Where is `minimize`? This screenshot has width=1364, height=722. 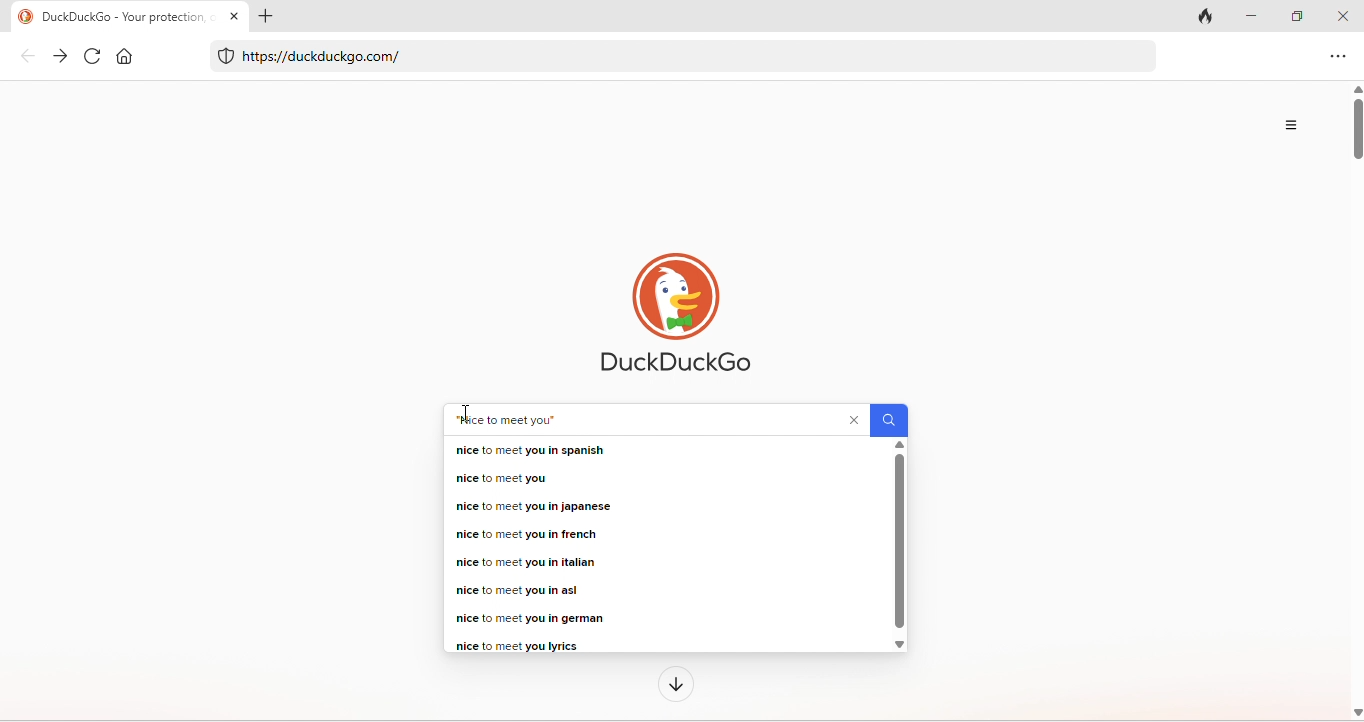 minimize is located at coordinates (1251, 14).